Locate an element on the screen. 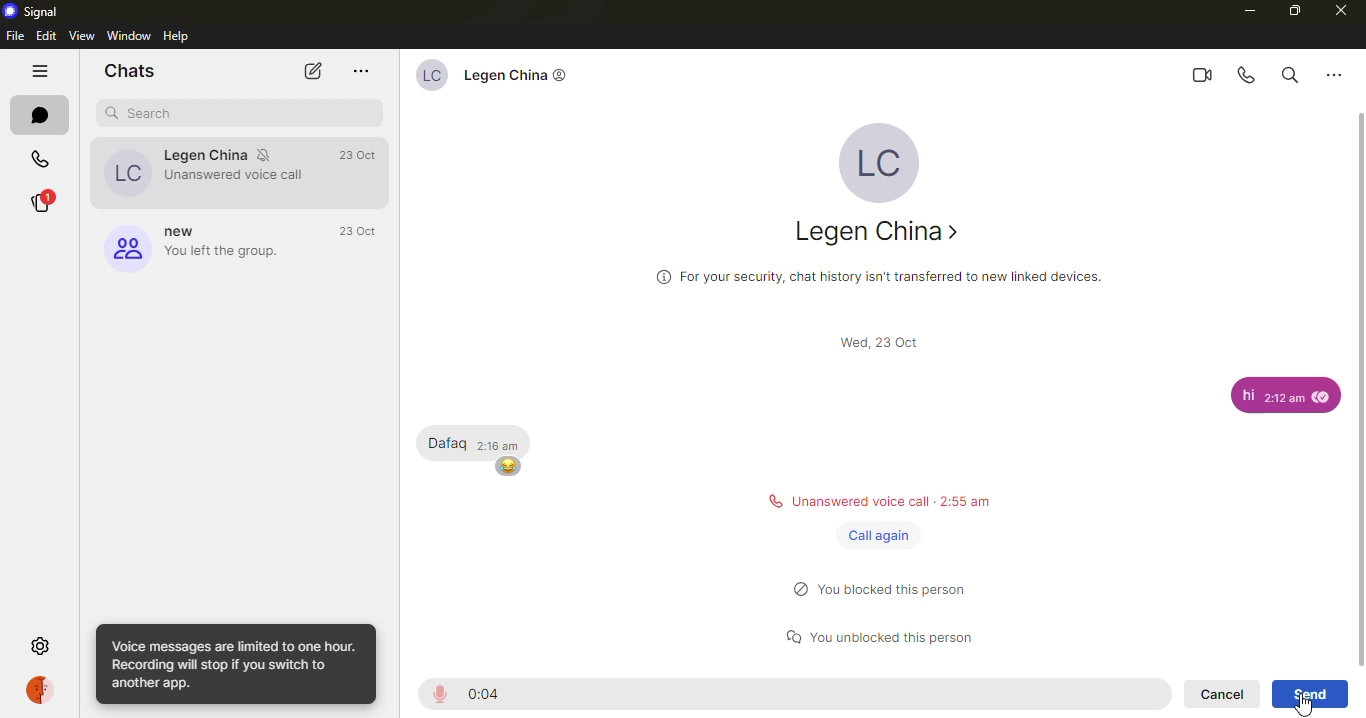 The image size is (1366, 718). chats is located at coordinates (129, 73).